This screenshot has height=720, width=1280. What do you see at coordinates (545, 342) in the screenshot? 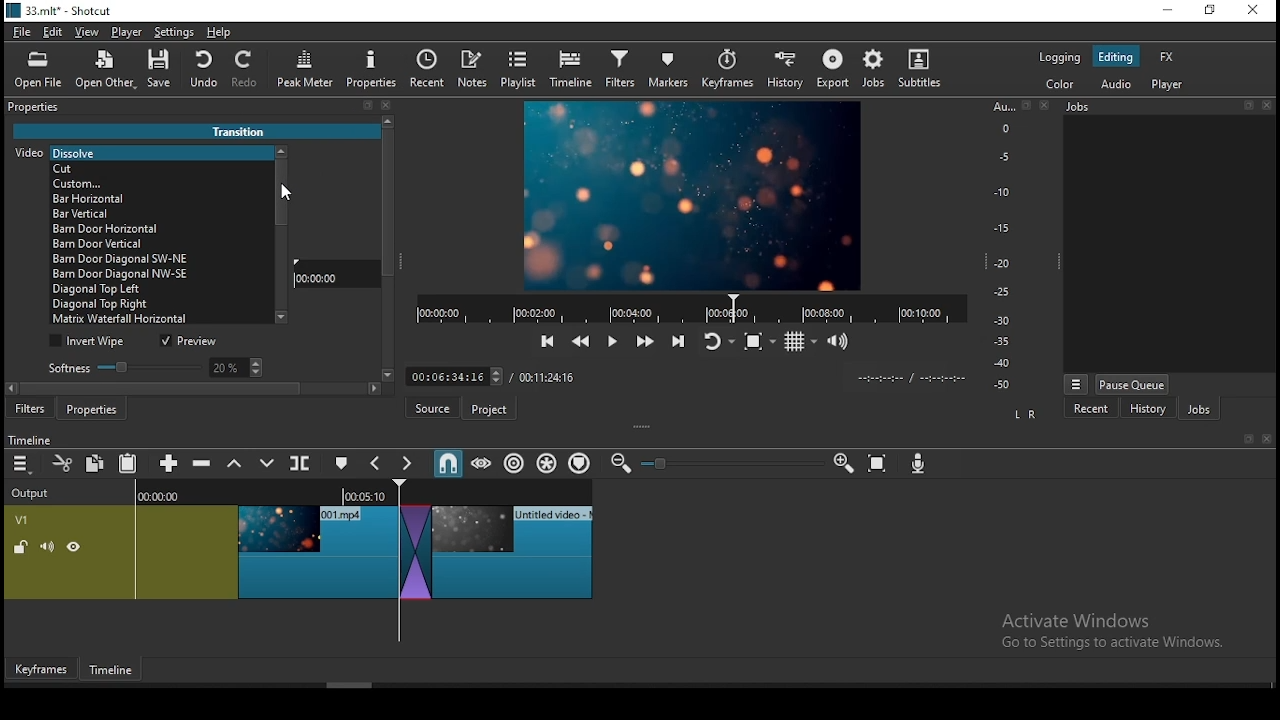
I see `skip to previous point` at bounding box center [545, 342].